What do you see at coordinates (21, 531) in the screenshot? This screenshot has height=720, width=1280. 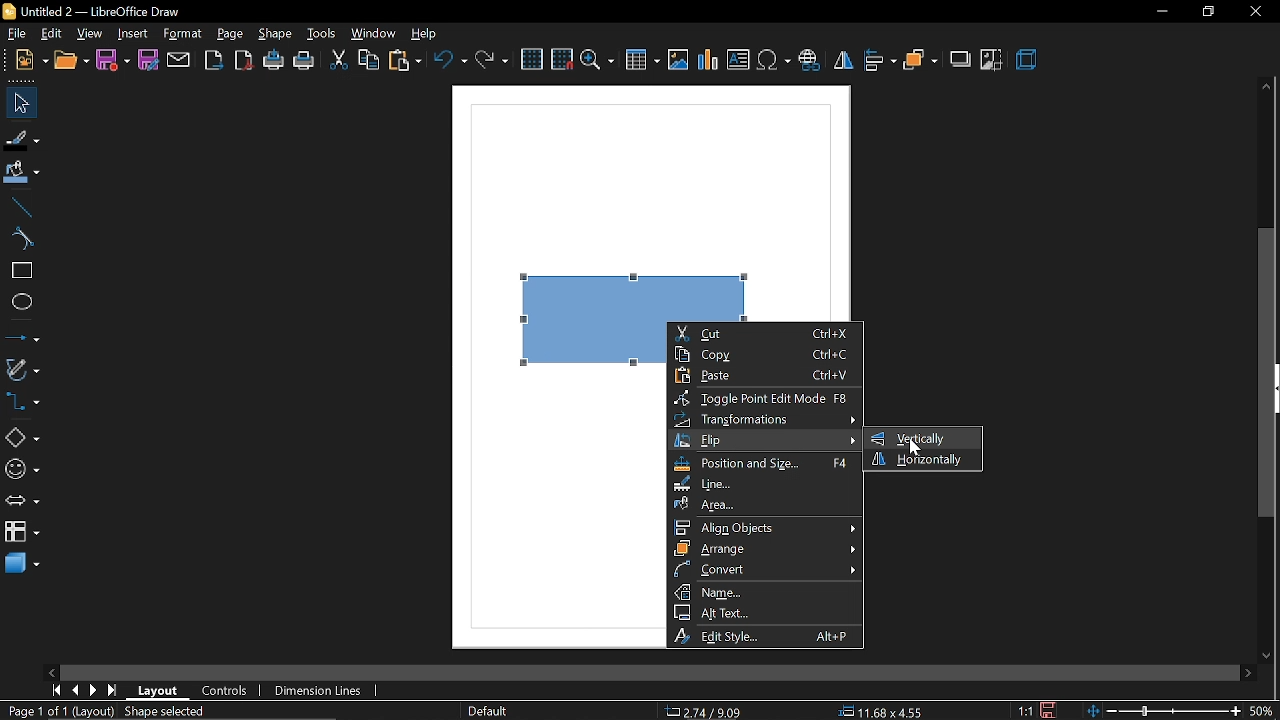 I see `flowchart` at bounding box center [21, 531].